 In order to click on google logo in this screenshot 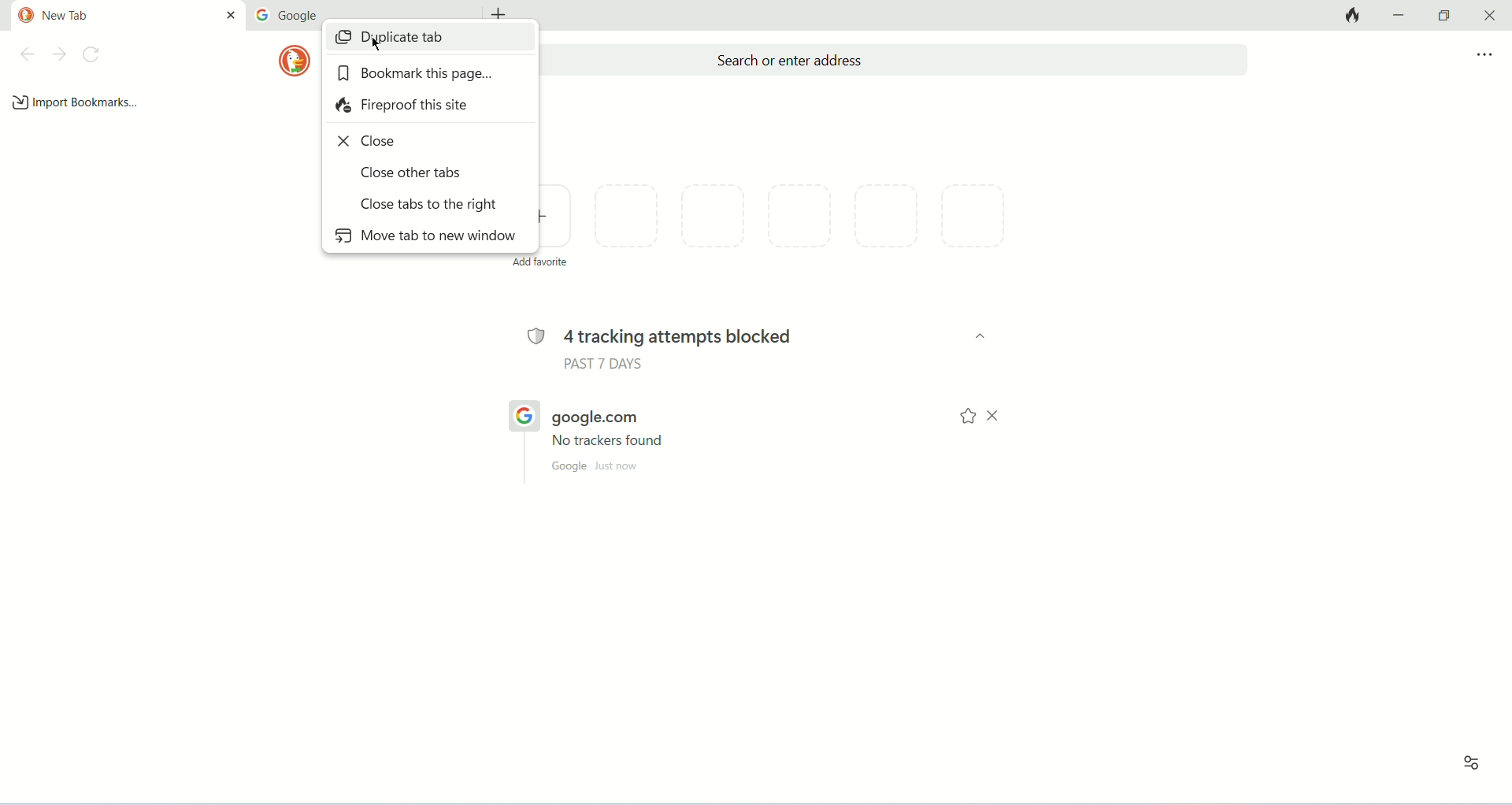, I will do `click(522, 414)`.